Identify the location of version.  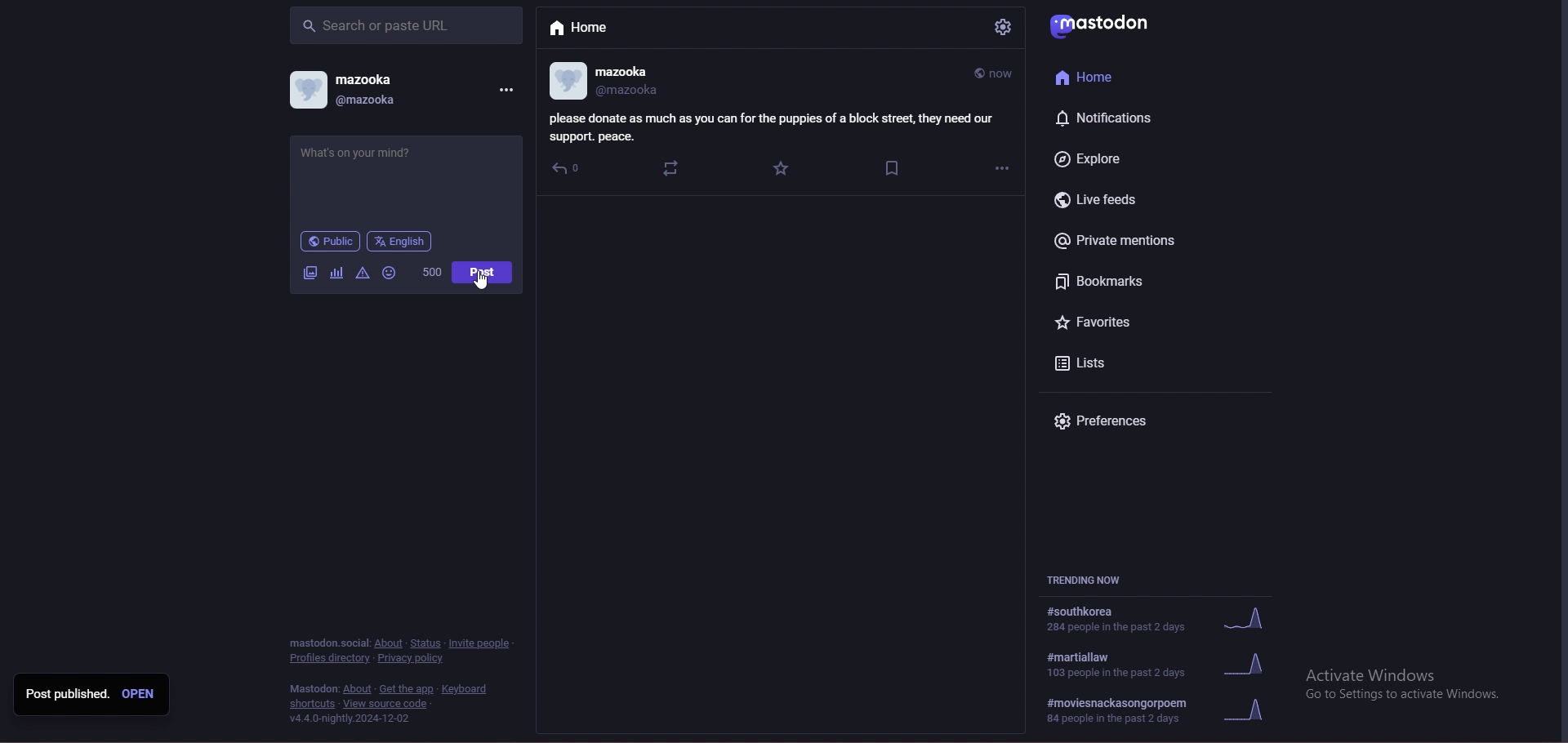
(354, 719).